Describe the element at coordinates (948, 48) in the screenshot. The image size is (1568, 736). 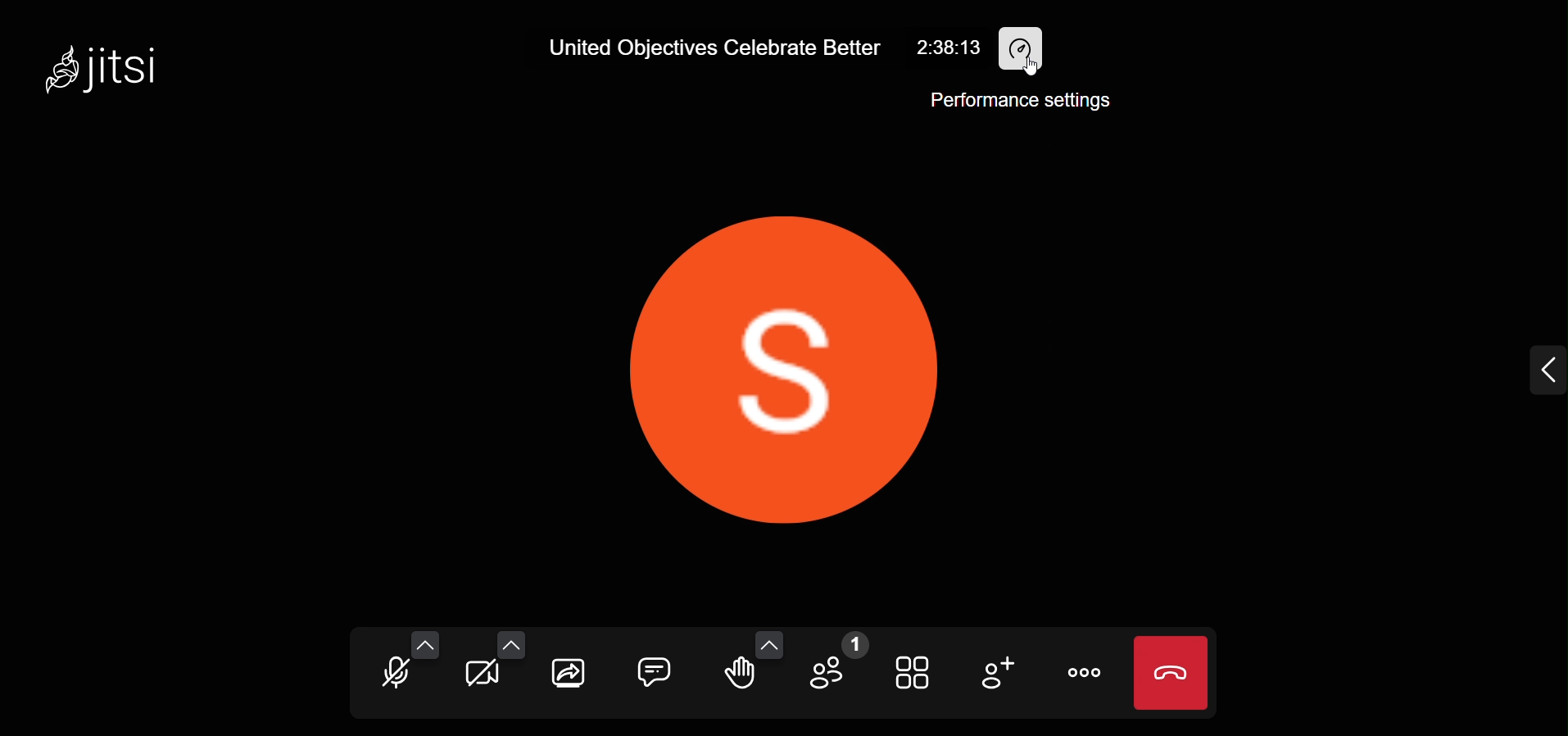
I see `2:38:13` at that location.